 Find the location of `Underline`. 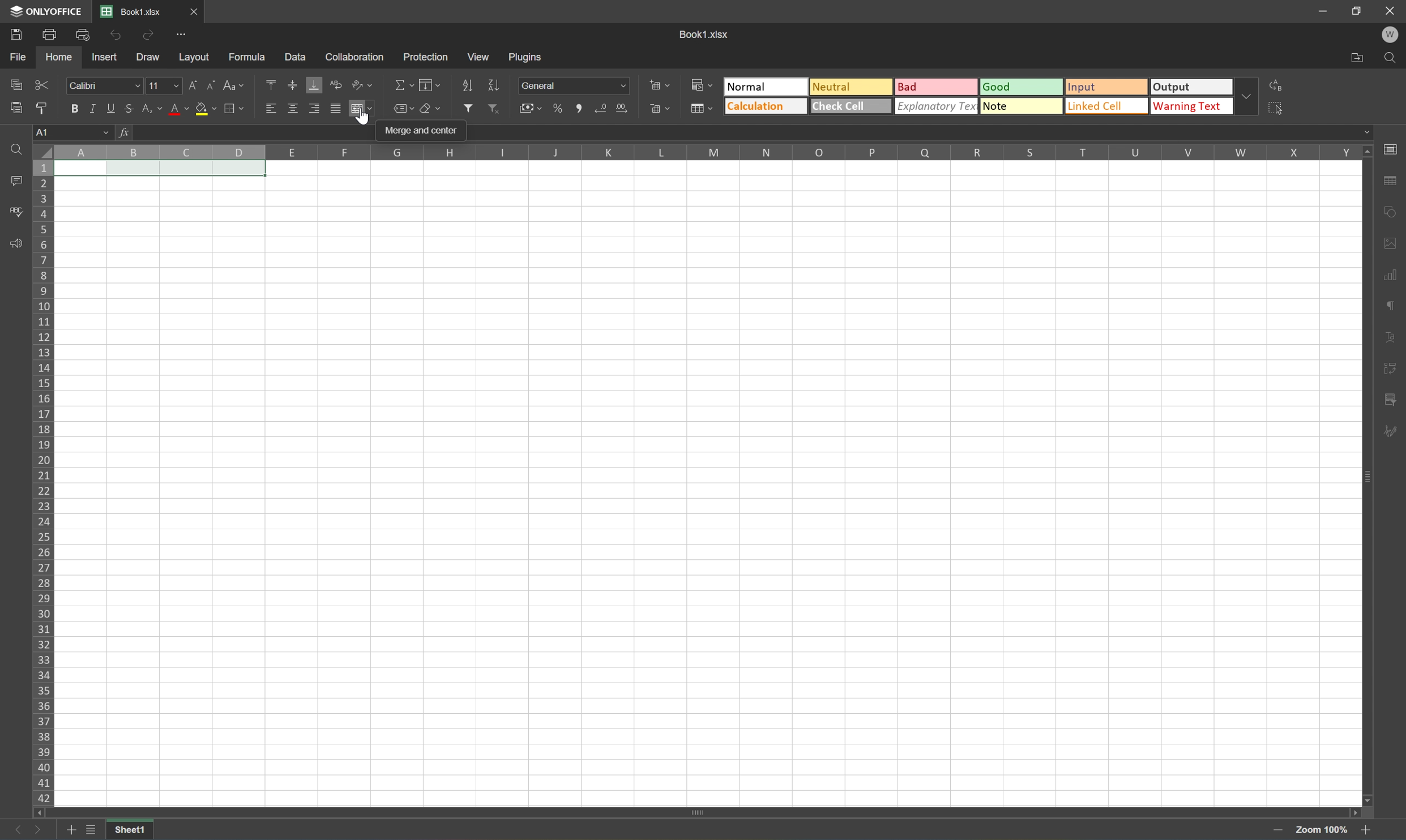

Underline is located at coordinates (113, 109).